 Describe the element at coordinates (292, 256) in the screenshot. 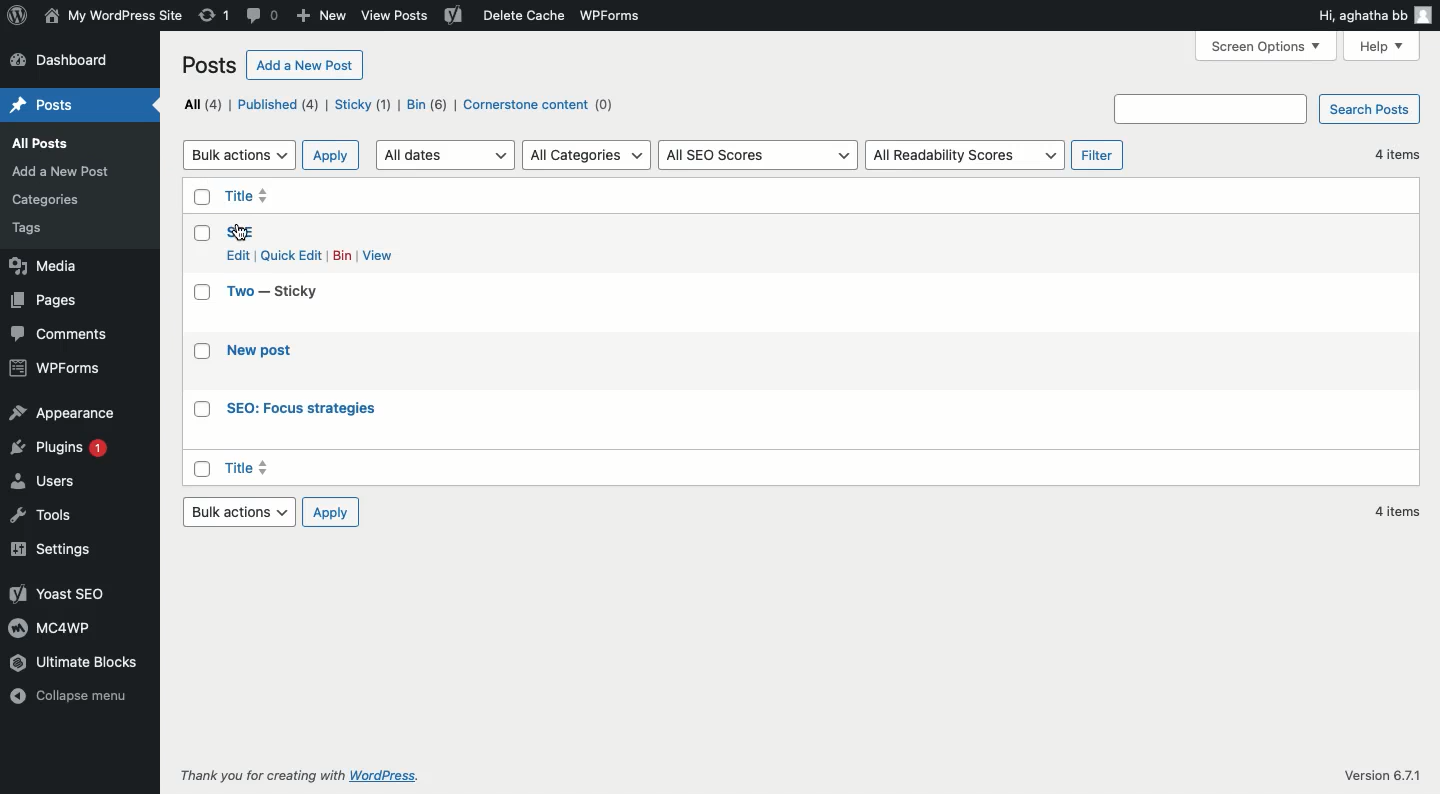

I see `Quick edit` at that location.